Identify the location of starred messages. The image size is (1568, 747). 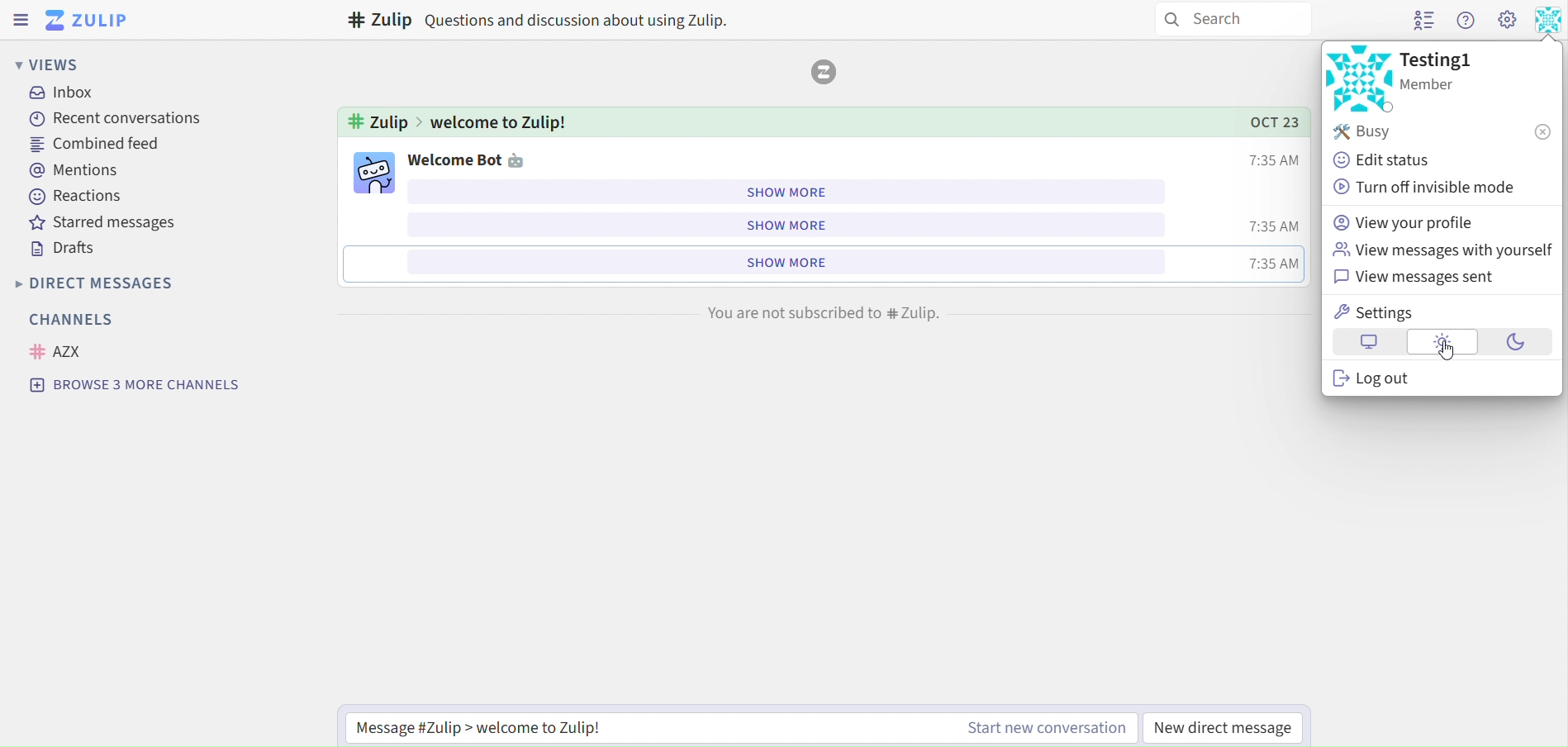
(107, 224).